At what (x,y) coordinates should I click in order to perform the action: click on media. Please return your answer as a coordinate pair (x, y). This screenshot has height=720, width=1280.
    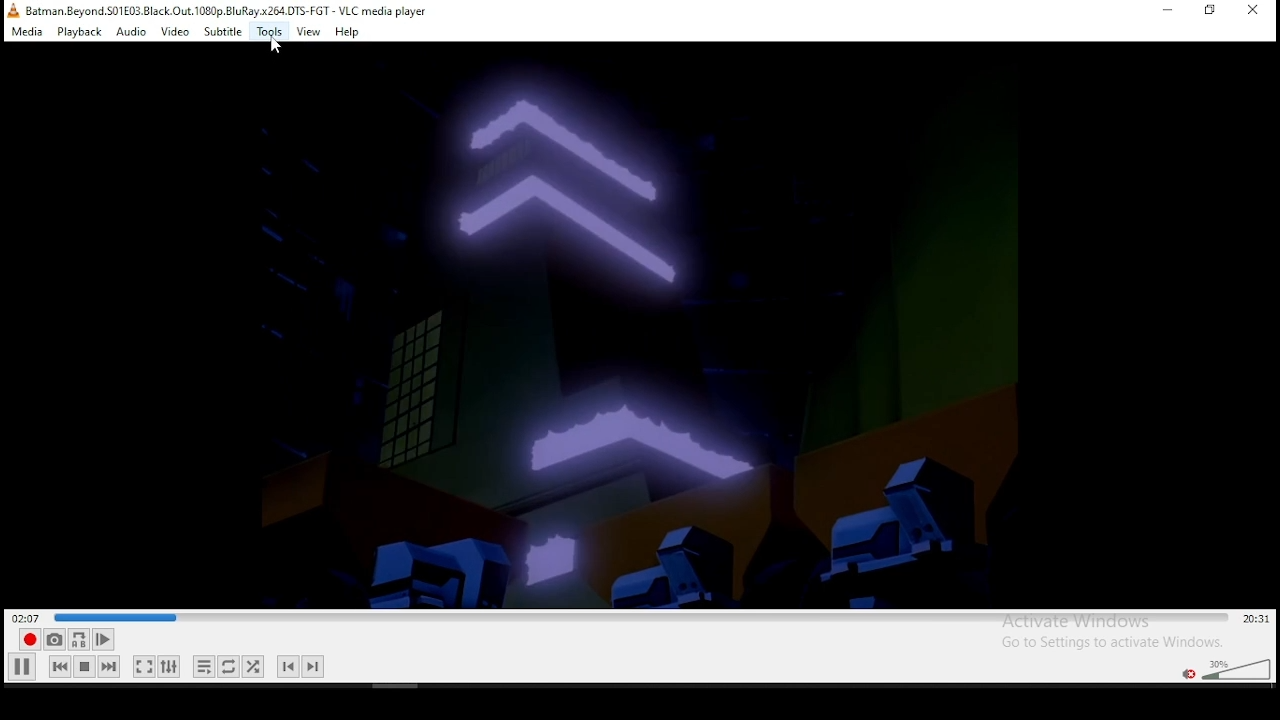
    Looking at the image, I should click on (29, 32).